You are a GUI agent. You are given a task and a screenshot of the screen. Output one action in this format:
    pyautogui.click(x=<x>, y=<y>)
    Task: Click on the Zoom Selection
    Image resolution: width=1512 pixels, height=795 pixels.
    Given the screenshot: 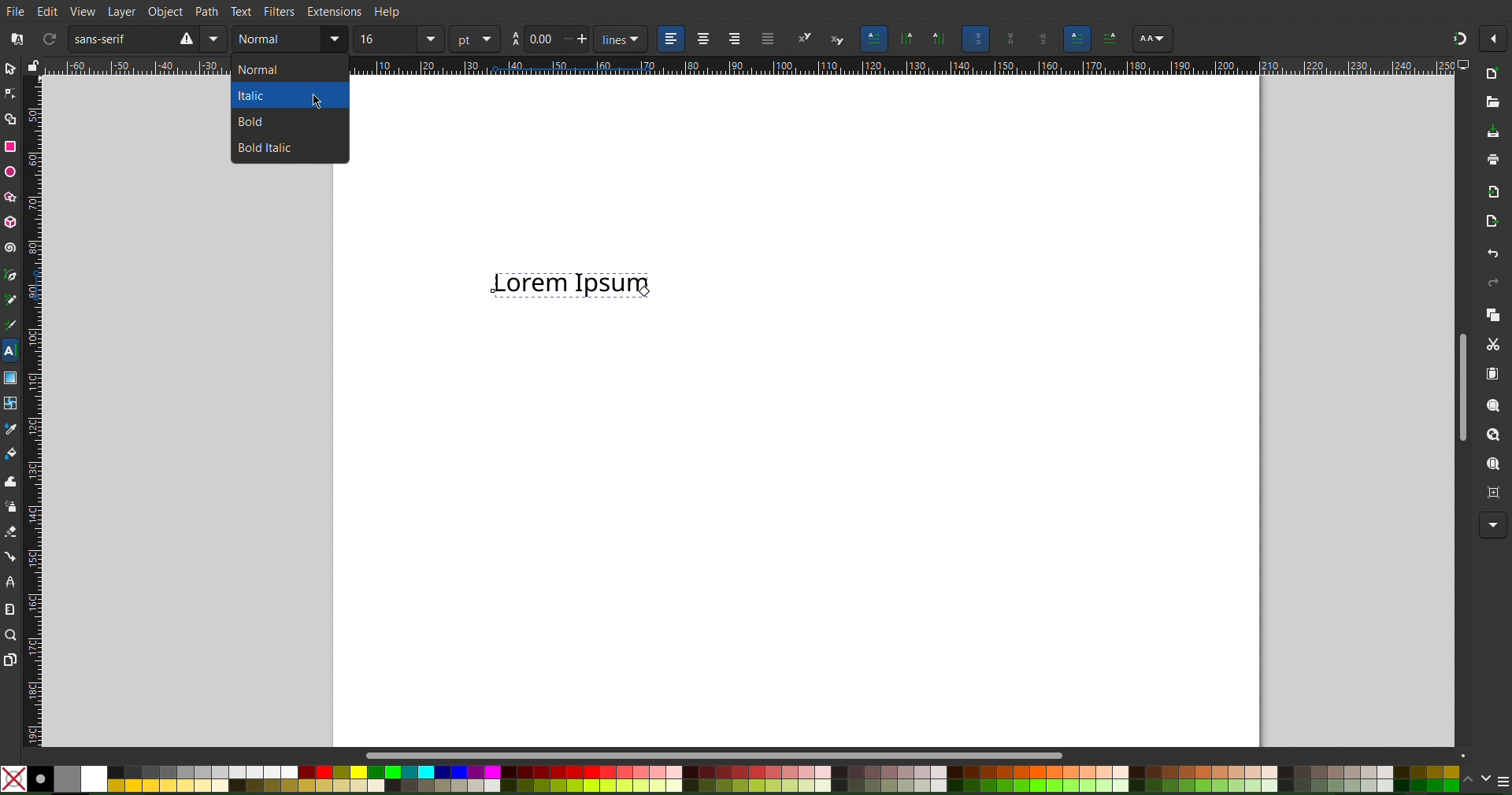 What is the action you would take?
    pyautogui.click(x=1488, y=405)
    